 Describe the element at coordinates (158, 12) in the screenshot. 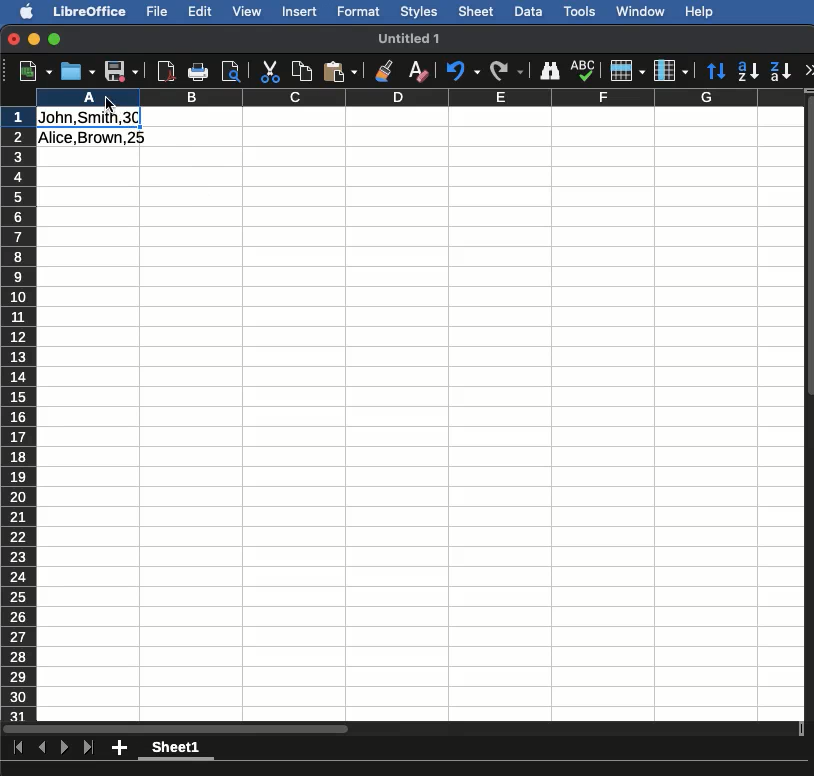

I see `File` at that location.